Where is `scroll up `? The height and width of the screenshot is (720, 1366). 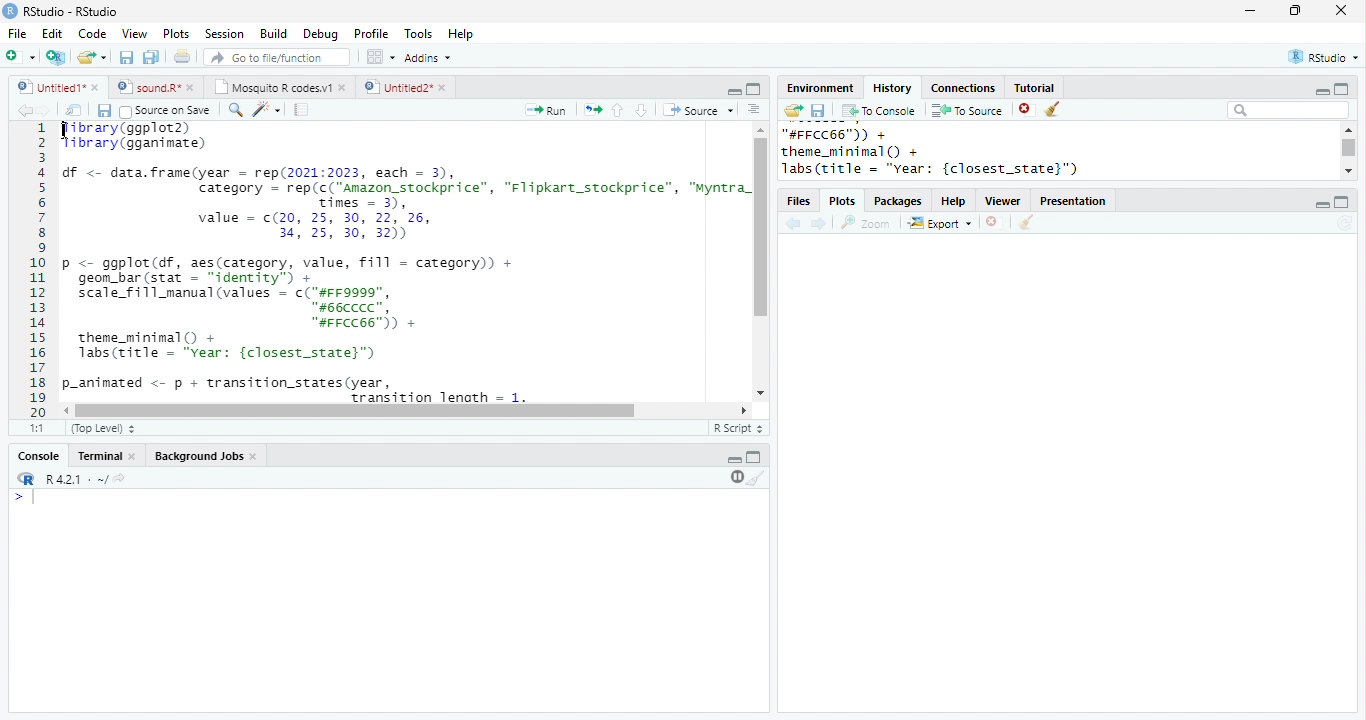
scroll up  is located at coordinates (761, 129).